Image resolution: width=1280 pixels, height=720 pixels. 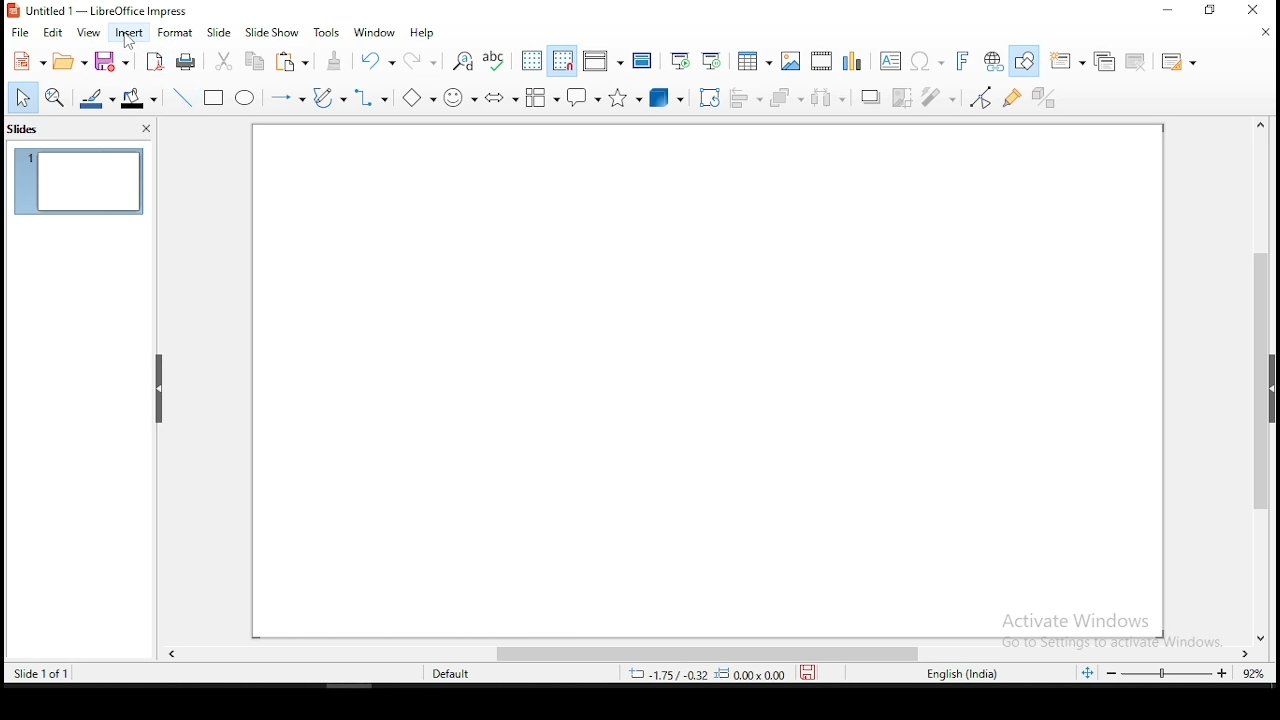 What do you see at coordinates (1103, 61) in the screenshot?
I see `duplicate slide` at bounding box center [1103, 61].